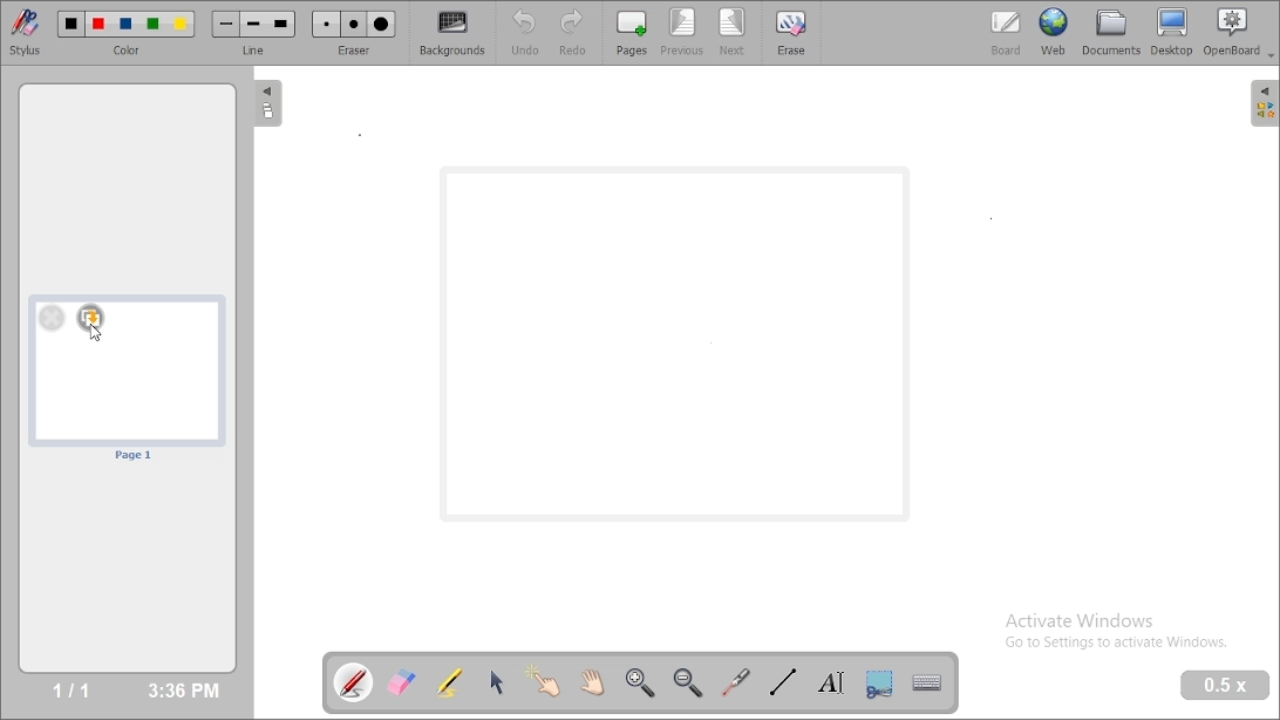  What do you see at coordinates (679, 345) in the screenshot?
I see `workspace` at bounding box center [679, 345].